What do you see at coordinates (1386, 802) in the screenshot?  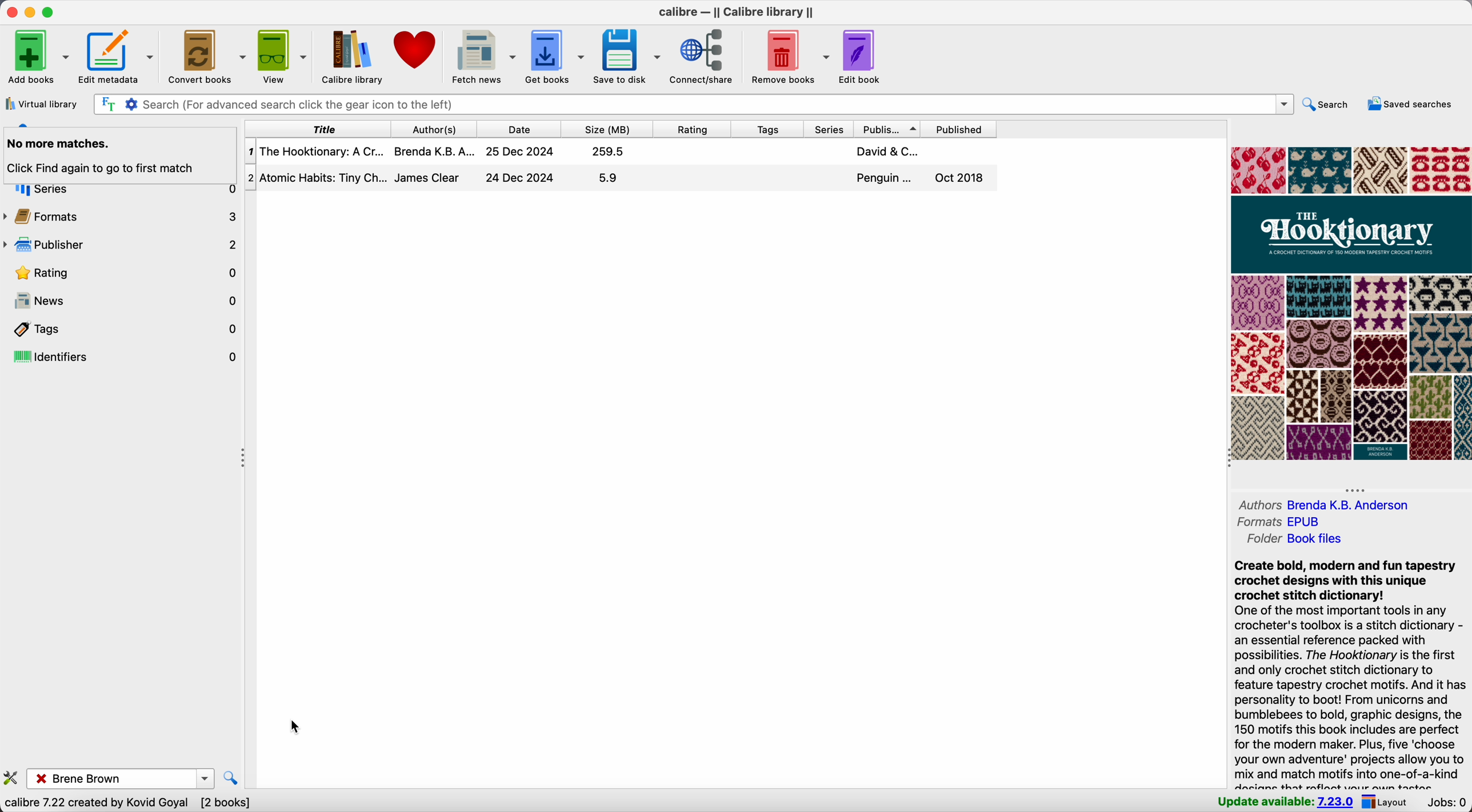 I see `layout` at bounding box center [1386, 802].